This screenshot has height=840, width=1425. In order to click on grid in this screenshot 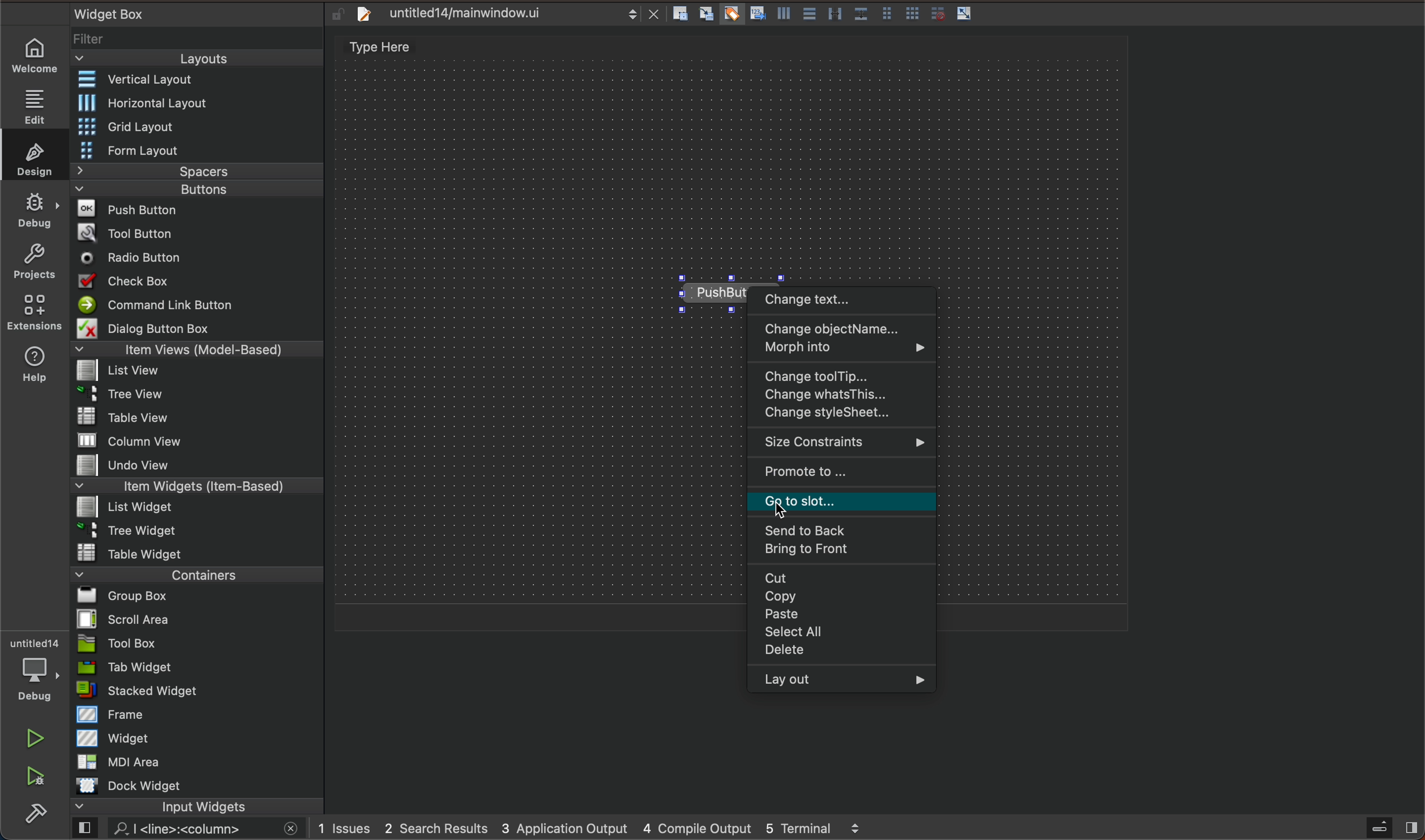, I will do `click(198, 127)`.